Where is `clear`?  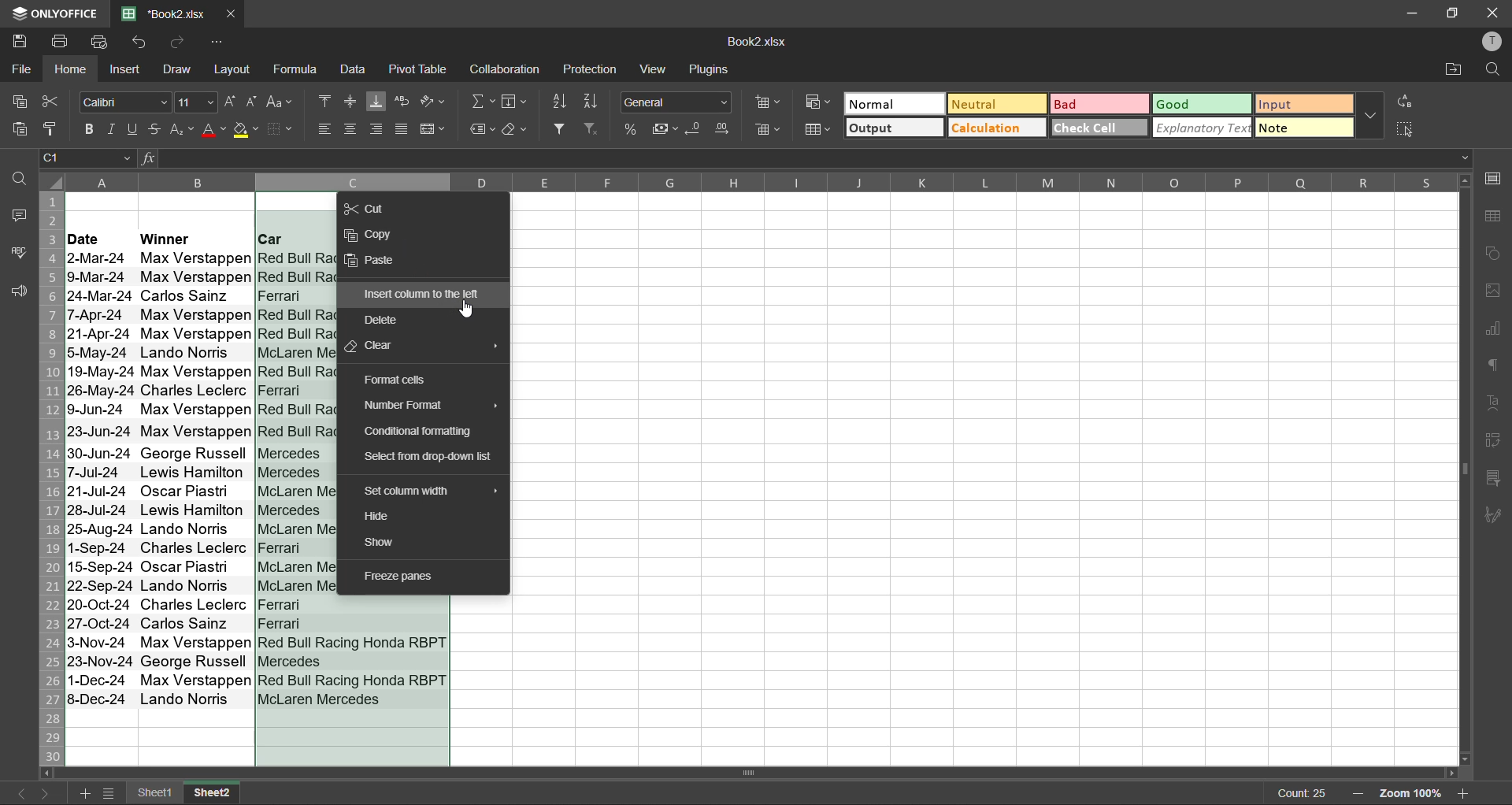
clear is located at coordinates (517, 129).